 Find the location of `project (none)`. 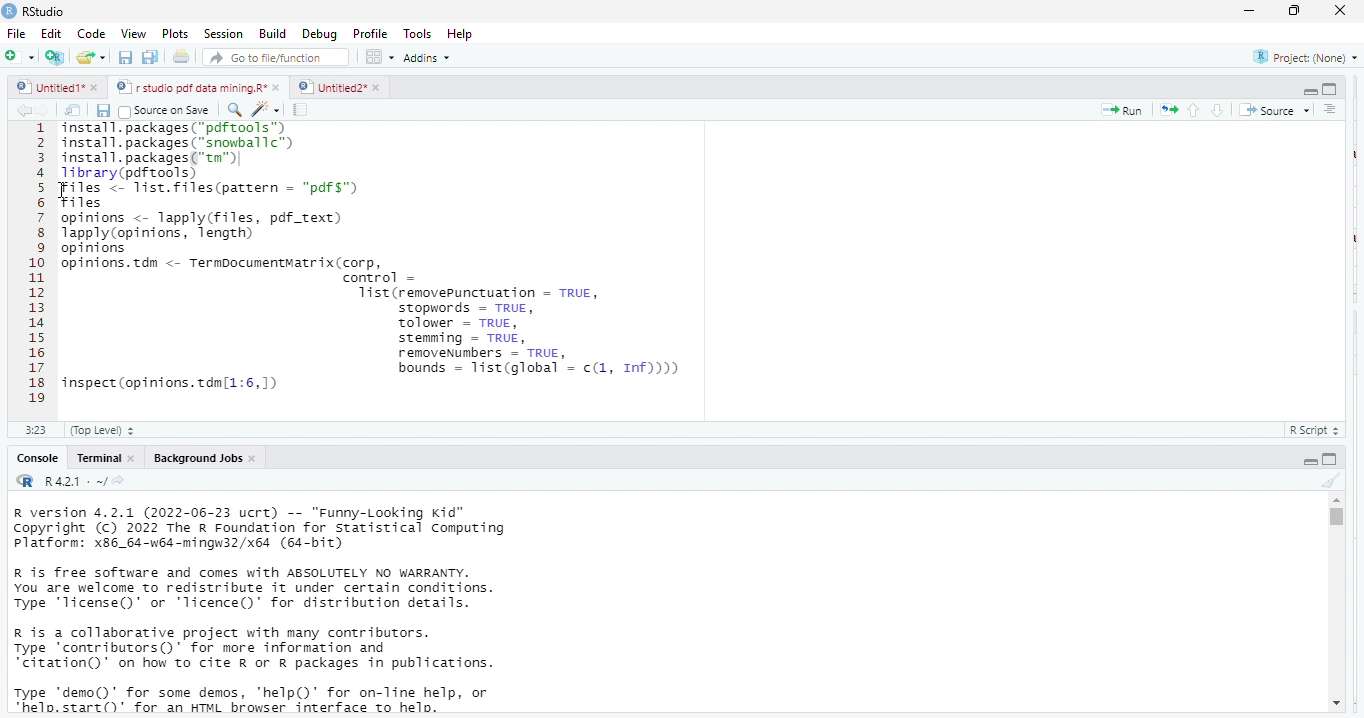

project (none) is located at coordinates (1300, 57).